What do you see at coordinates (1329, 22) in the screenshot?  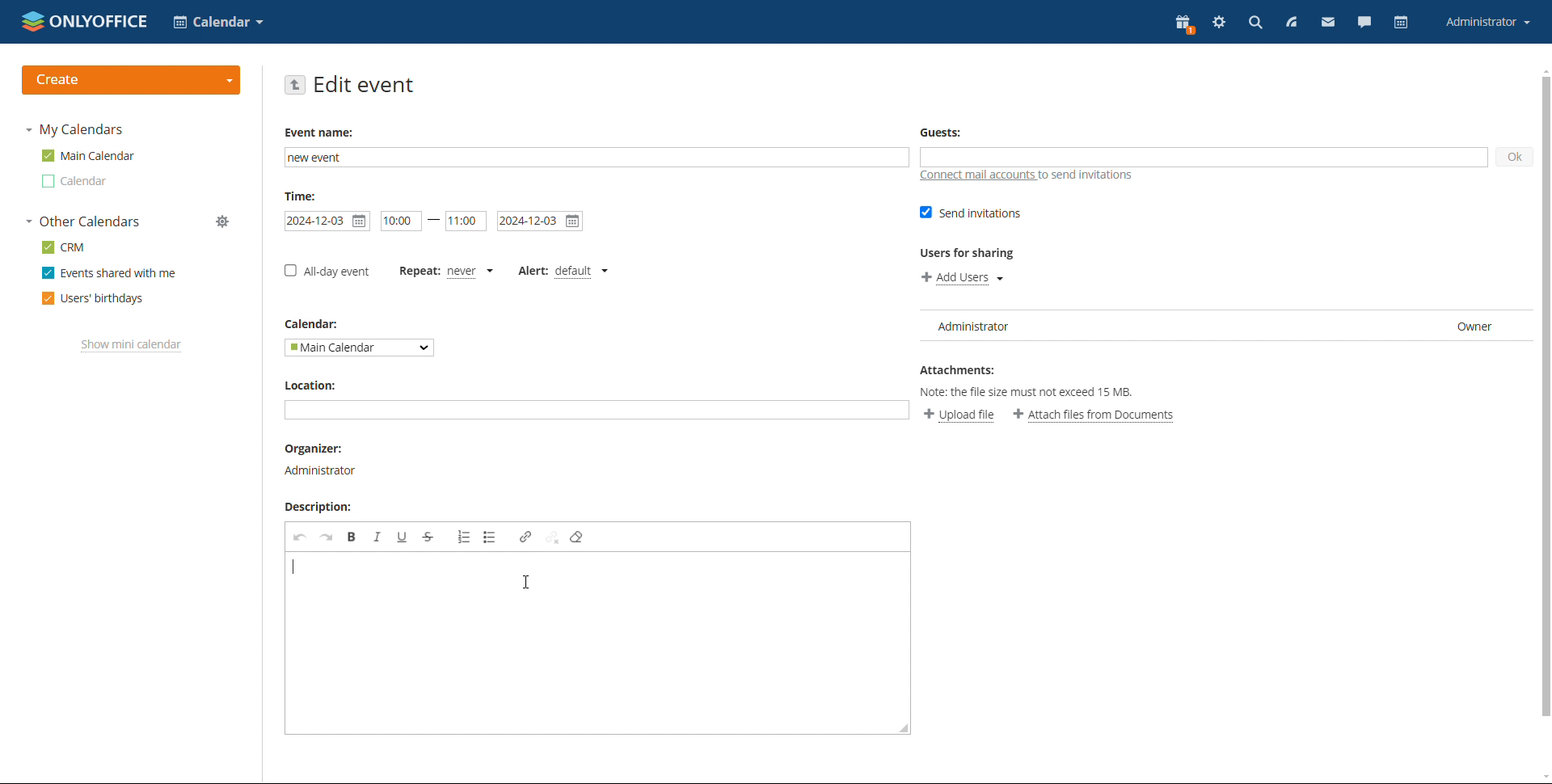 I see `mail` at bounding box center [1329, 22].